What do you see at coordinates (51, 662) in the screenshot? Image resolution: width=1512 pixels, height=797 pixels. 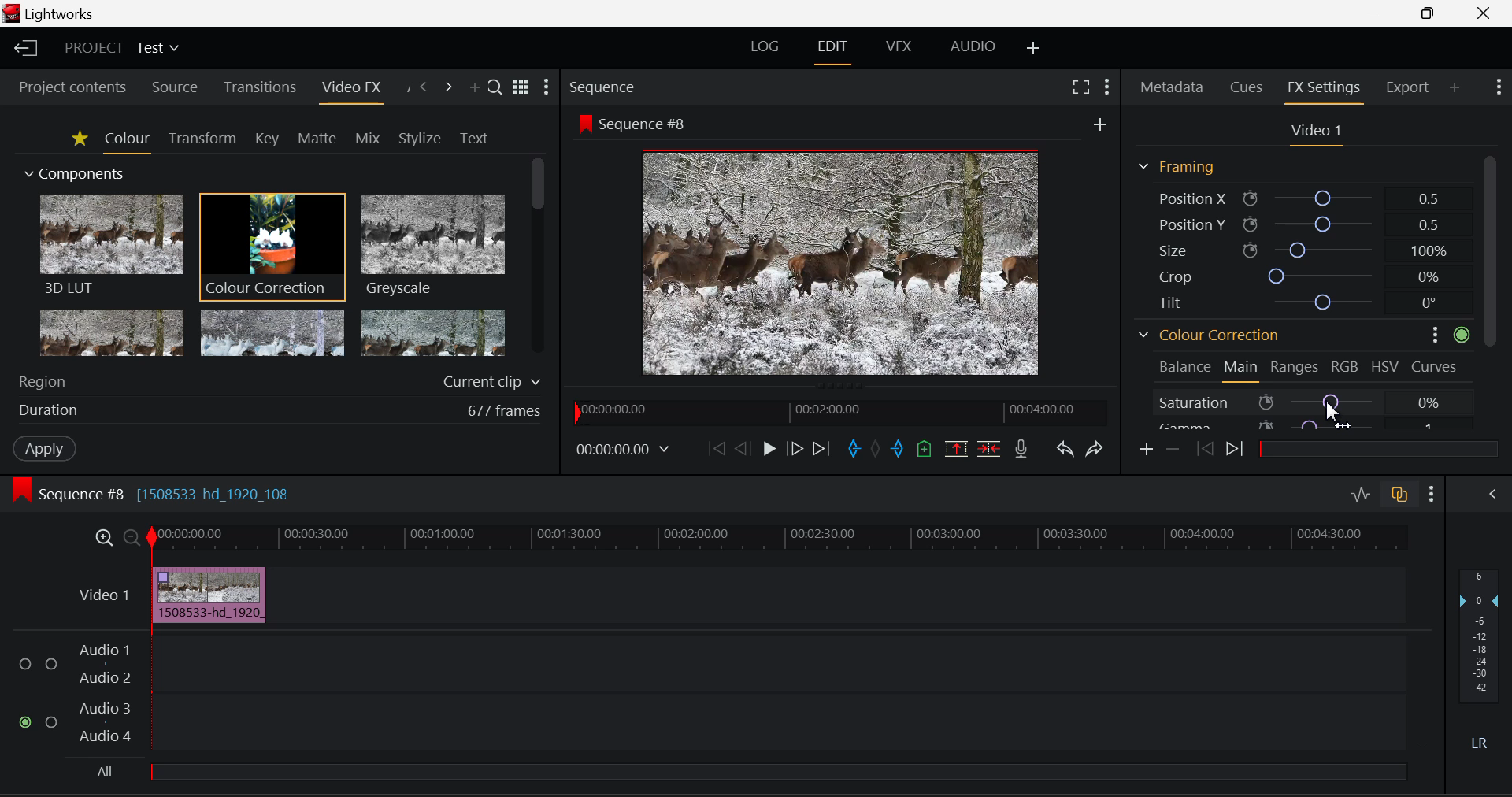 I see `Audio Input Checkbox` at bounding box center [51, 662].